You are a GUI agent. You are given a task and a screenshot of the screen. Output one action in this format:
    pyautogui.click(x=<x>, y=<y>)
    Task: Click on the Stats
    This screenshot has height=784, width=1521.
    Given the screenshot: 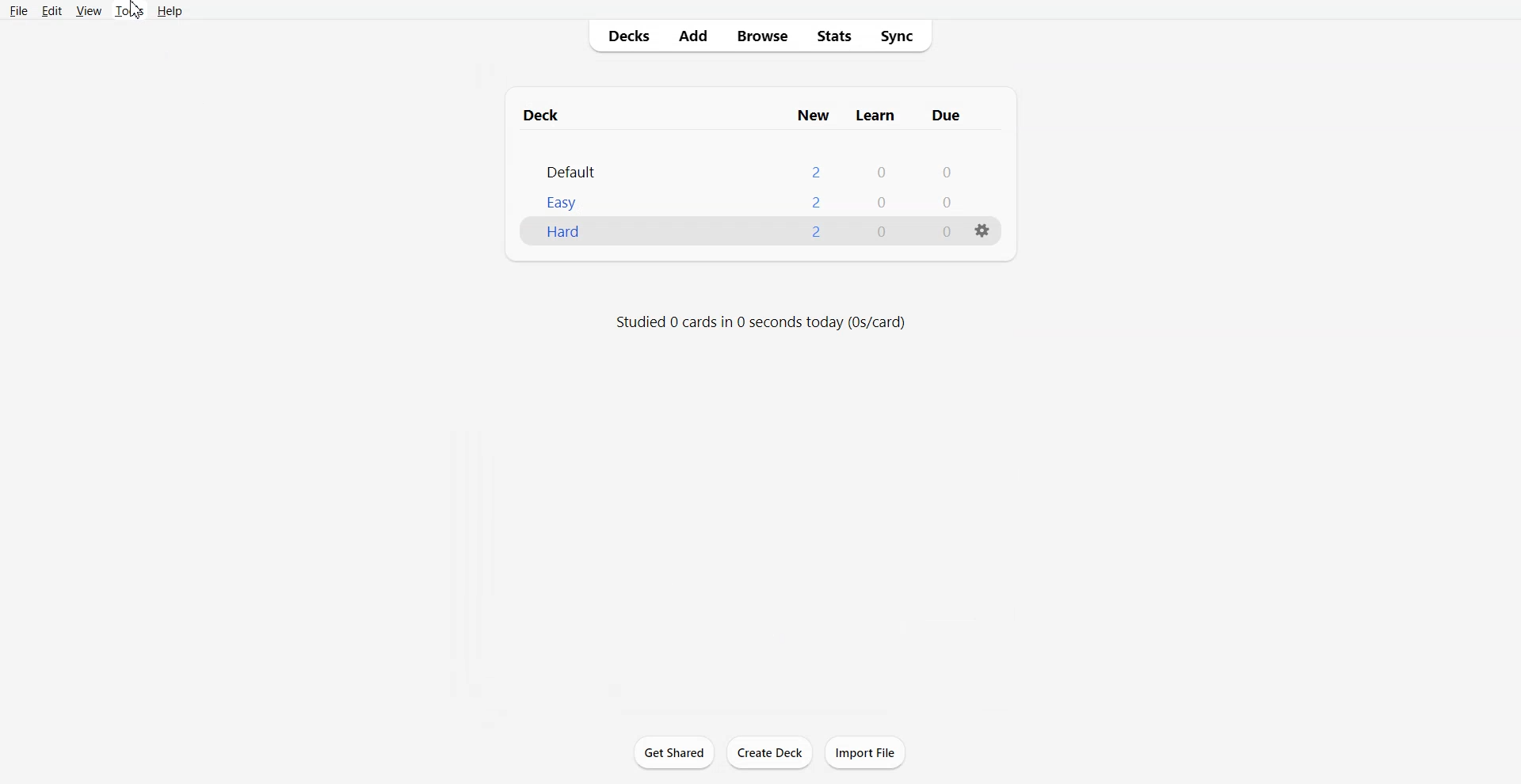 What is the action you would take?
    pyautogui.click(x=834, y=36)
    